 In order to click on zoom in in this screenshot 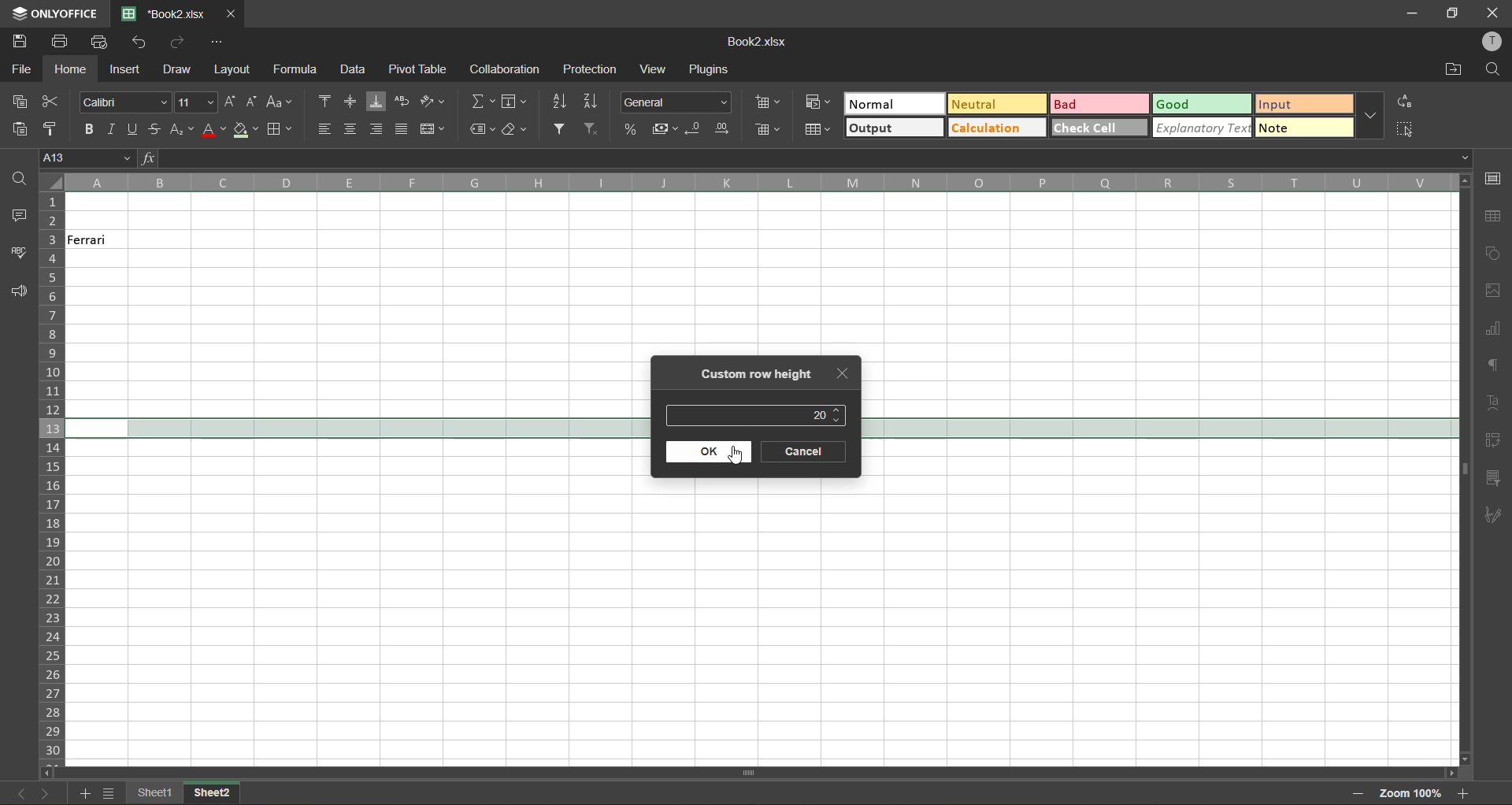, I will do `click(1466, 795)`.